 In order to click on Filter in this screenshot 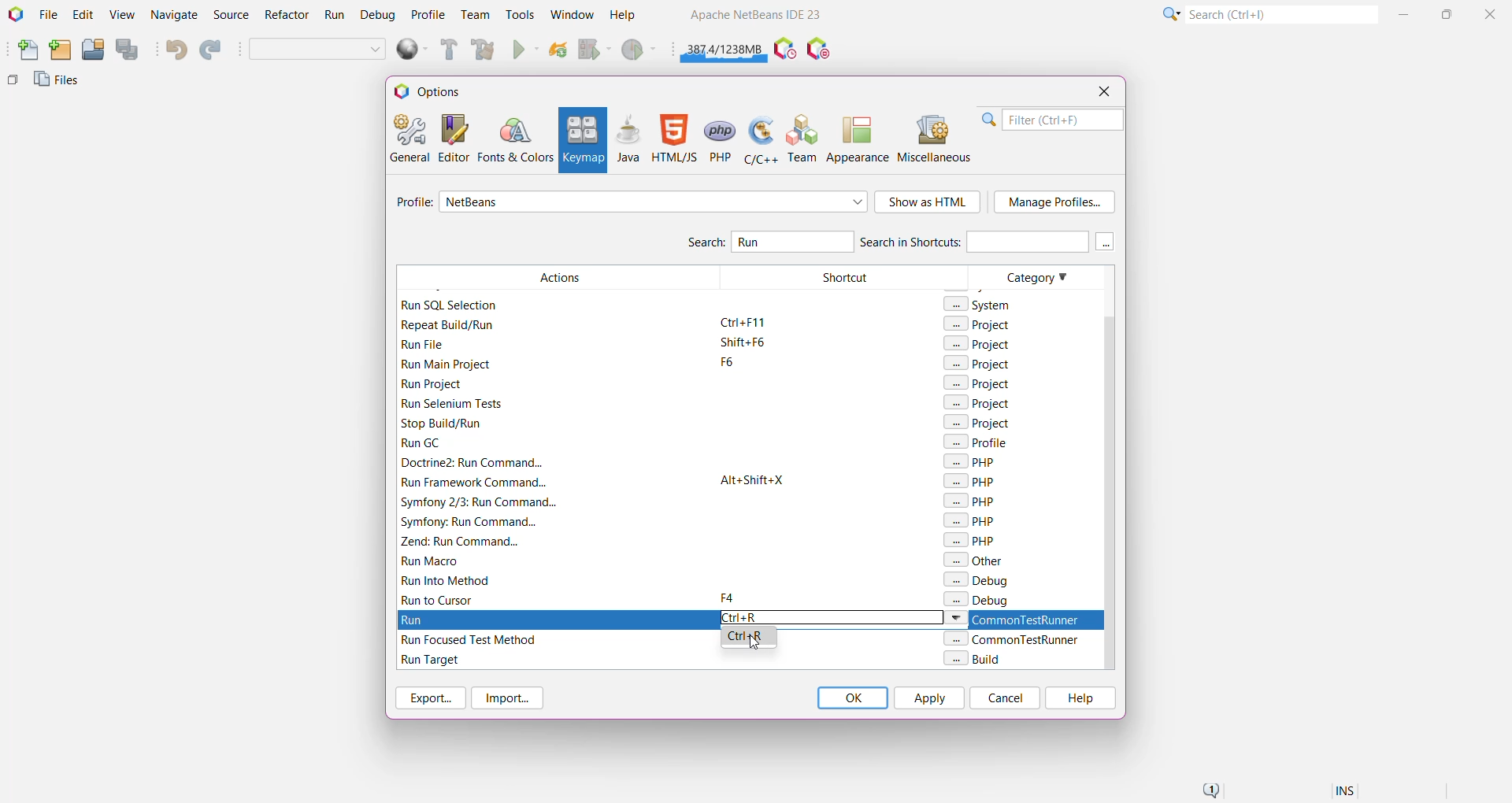, I will do `click(1052, 120)`.